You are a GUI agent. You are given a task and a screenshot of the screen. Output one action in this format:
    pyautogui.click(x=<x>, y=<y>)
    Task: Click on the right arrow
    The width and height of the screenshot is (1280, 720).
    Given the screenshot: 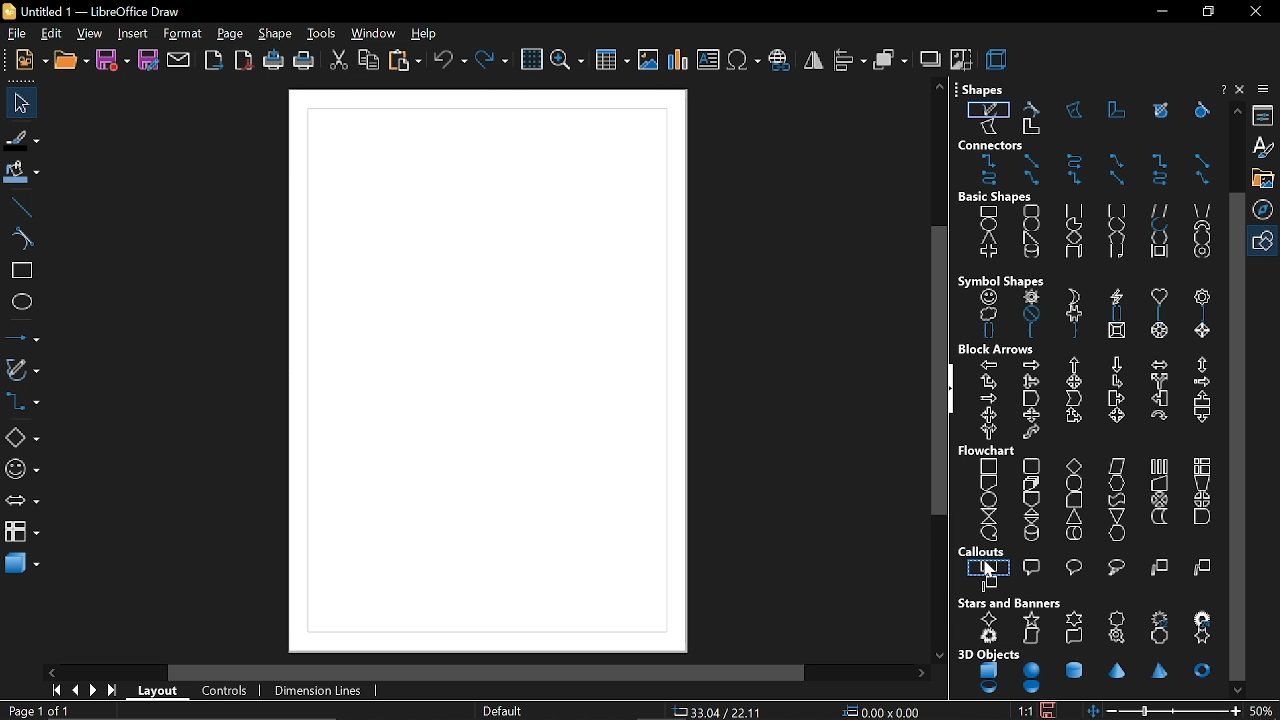 What is the action you would take?
    pyautogui.click(x=1030, y=364)
    